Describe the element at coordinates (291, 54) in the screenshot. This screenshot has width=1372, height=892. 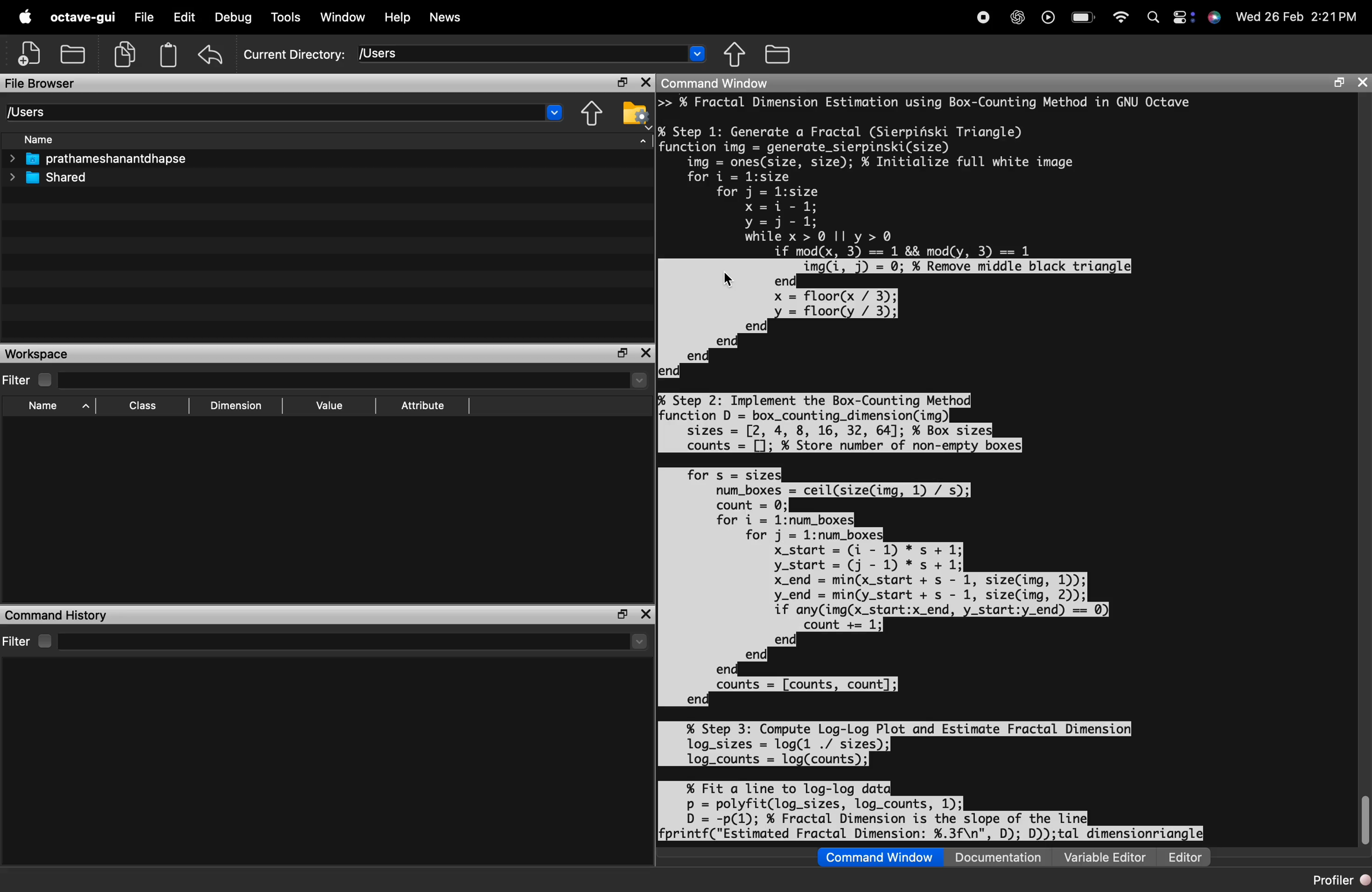
I see `Current Directory: [Users` at that location.